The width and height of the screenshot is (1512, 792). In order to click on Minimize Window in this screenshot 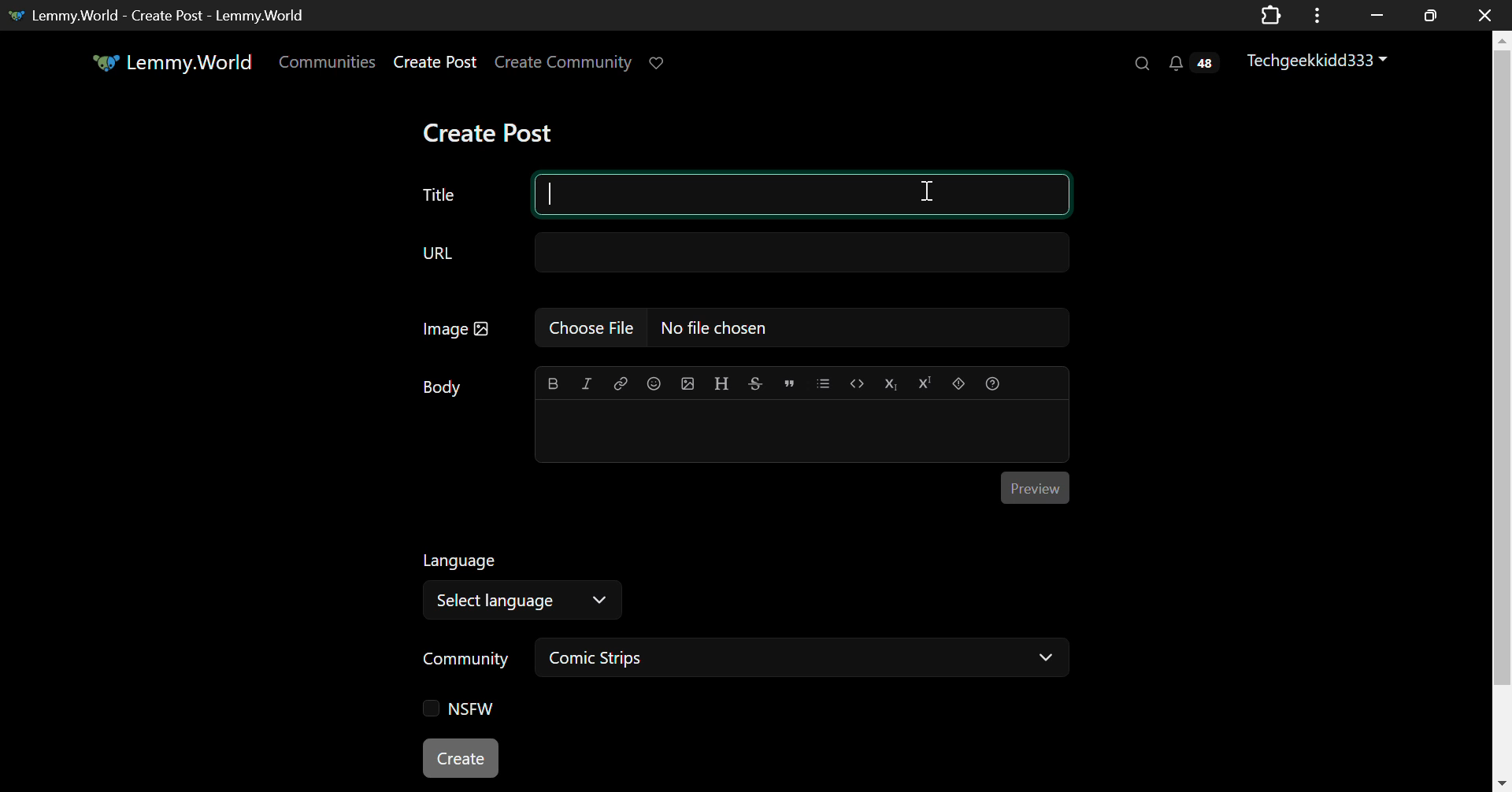, I will do `click(1432, 15)`.